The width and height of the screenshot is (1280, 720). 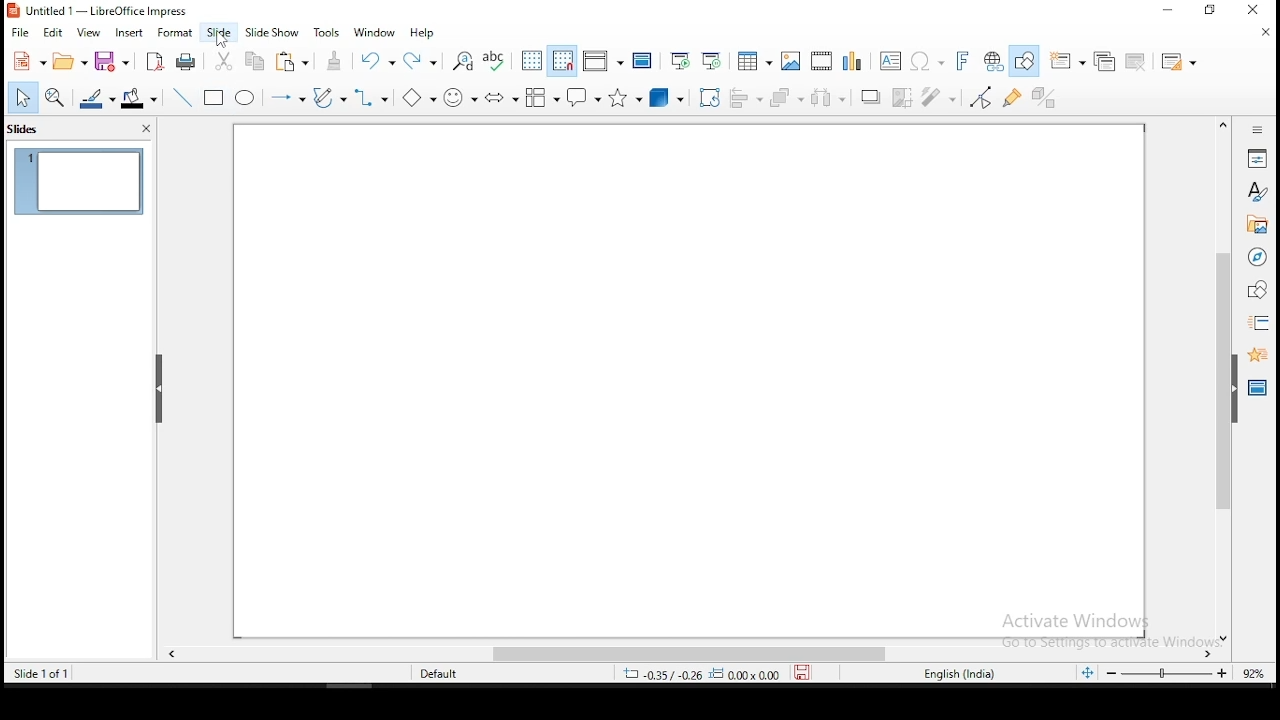 What do you see at coordinates (220, 34) in the screenshot?
I see `slide` at bounding box center [220, 34].